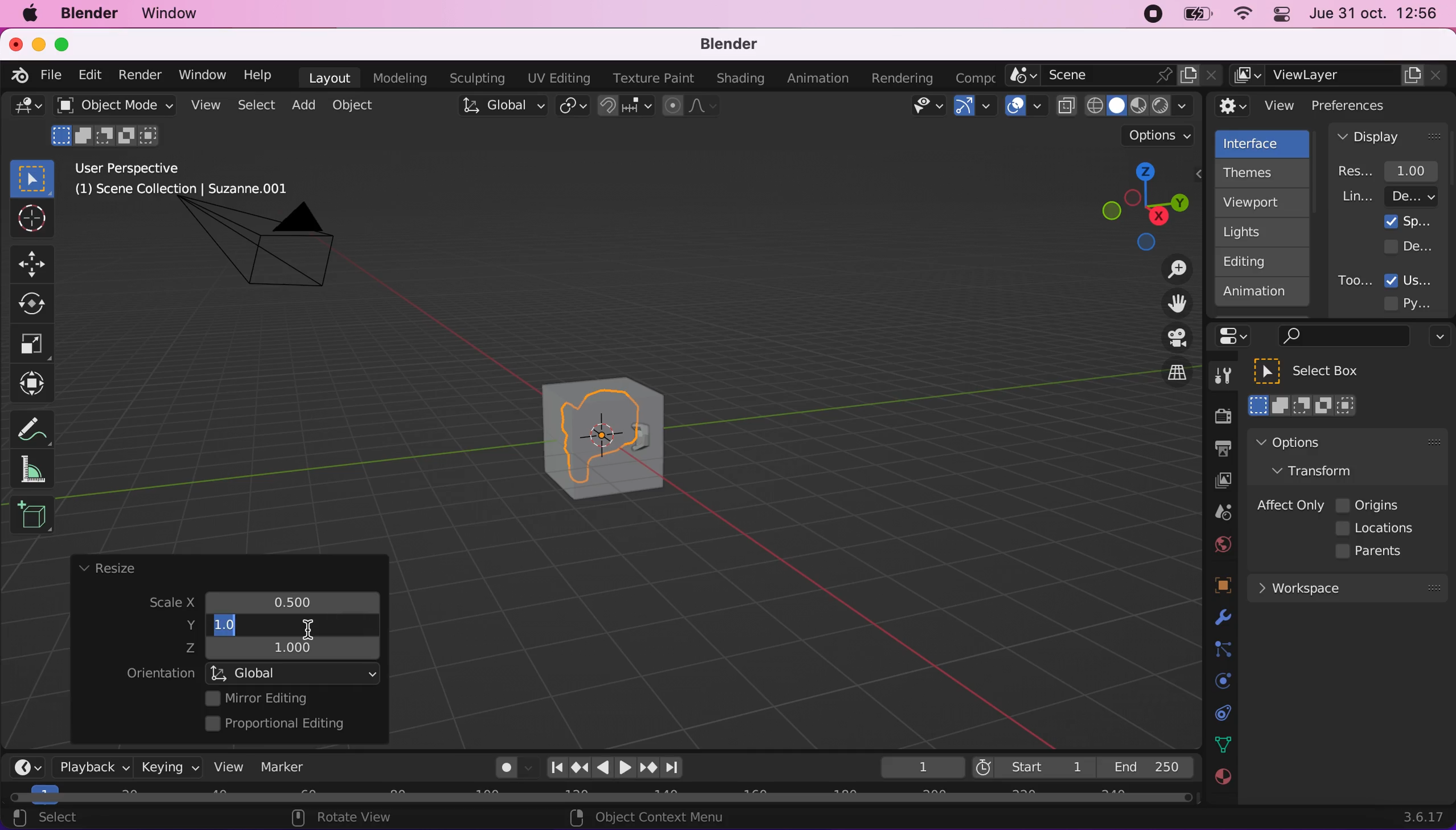  Describe the element at coordinates (1217, 482) in the screenshot. I see `view layer` at that location.